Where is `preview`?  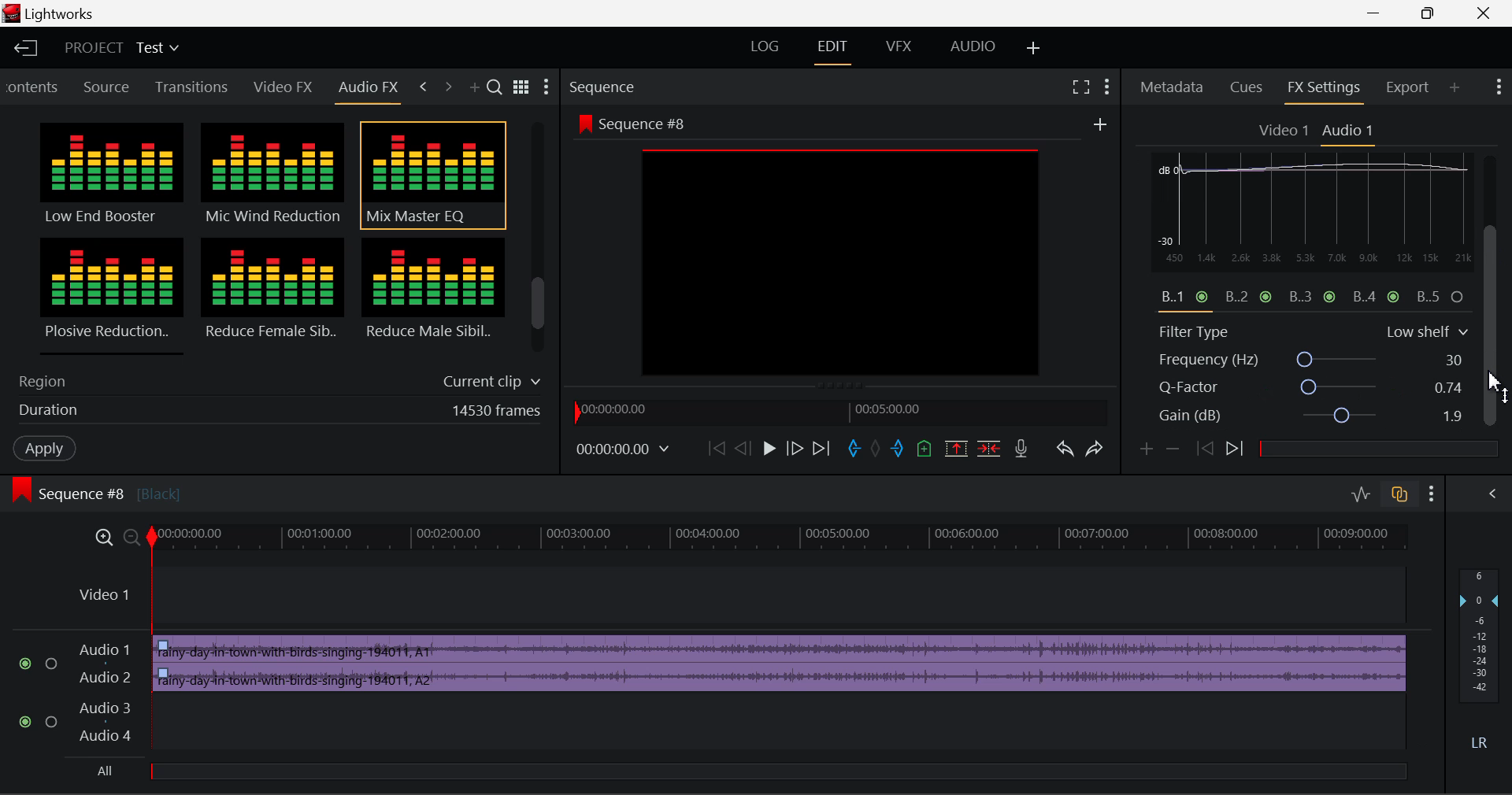 preview is located at coordinates (842, 264).